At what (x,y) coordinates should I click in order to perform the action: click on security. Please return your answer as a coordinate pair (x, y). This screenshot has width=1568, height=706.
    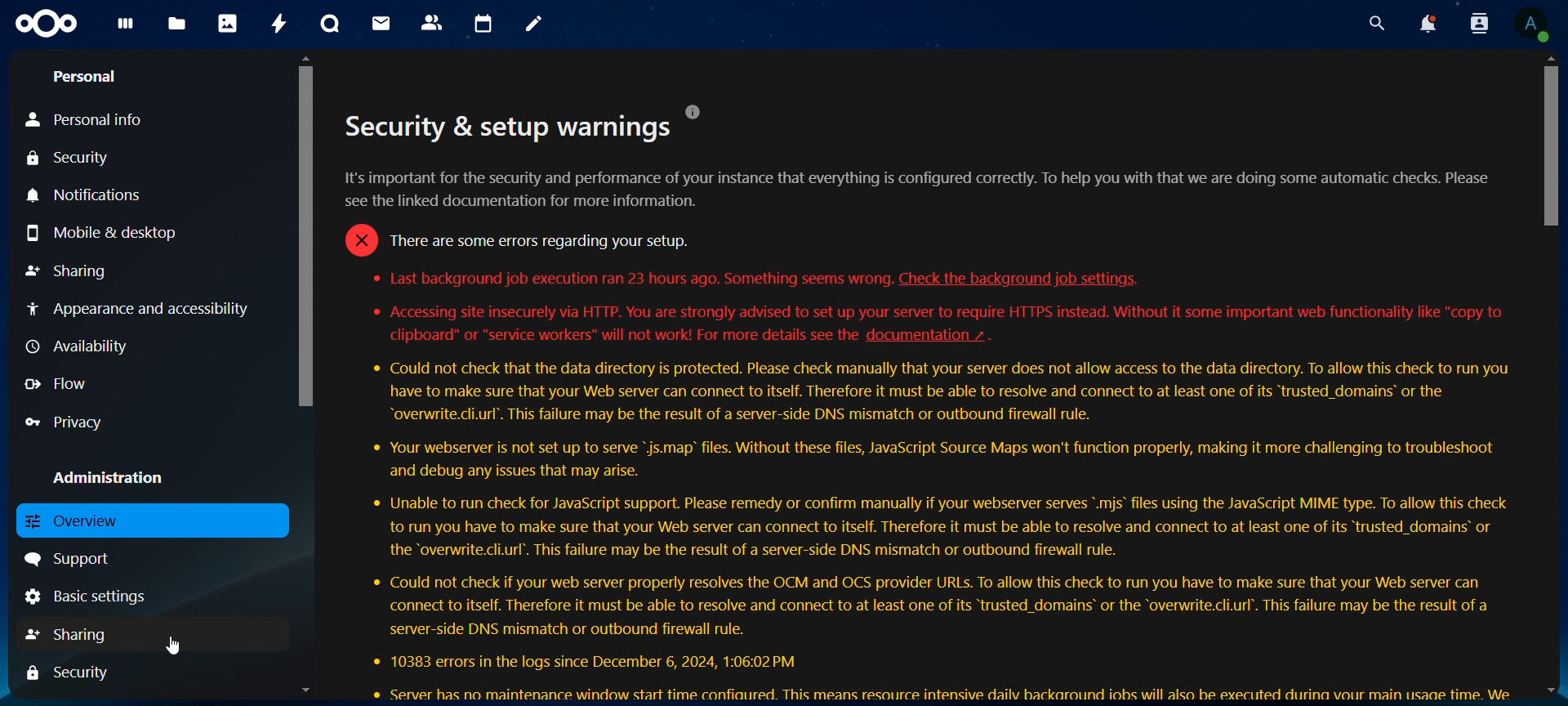
    Looking at the image, I should click on (78, 158).